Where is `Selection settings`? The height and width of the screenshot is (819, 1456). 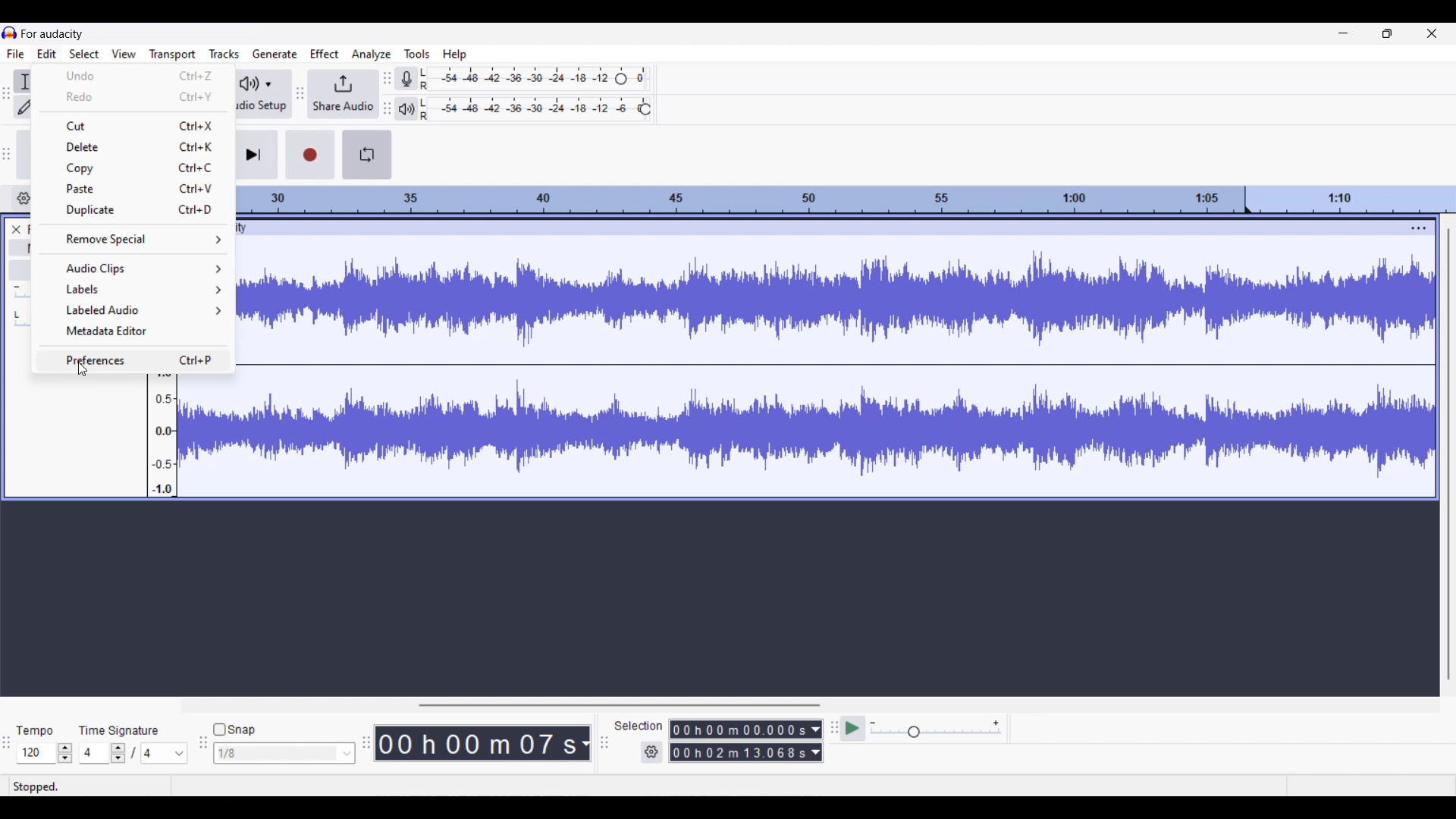
Selection settings is located at coordinates (652, 752).